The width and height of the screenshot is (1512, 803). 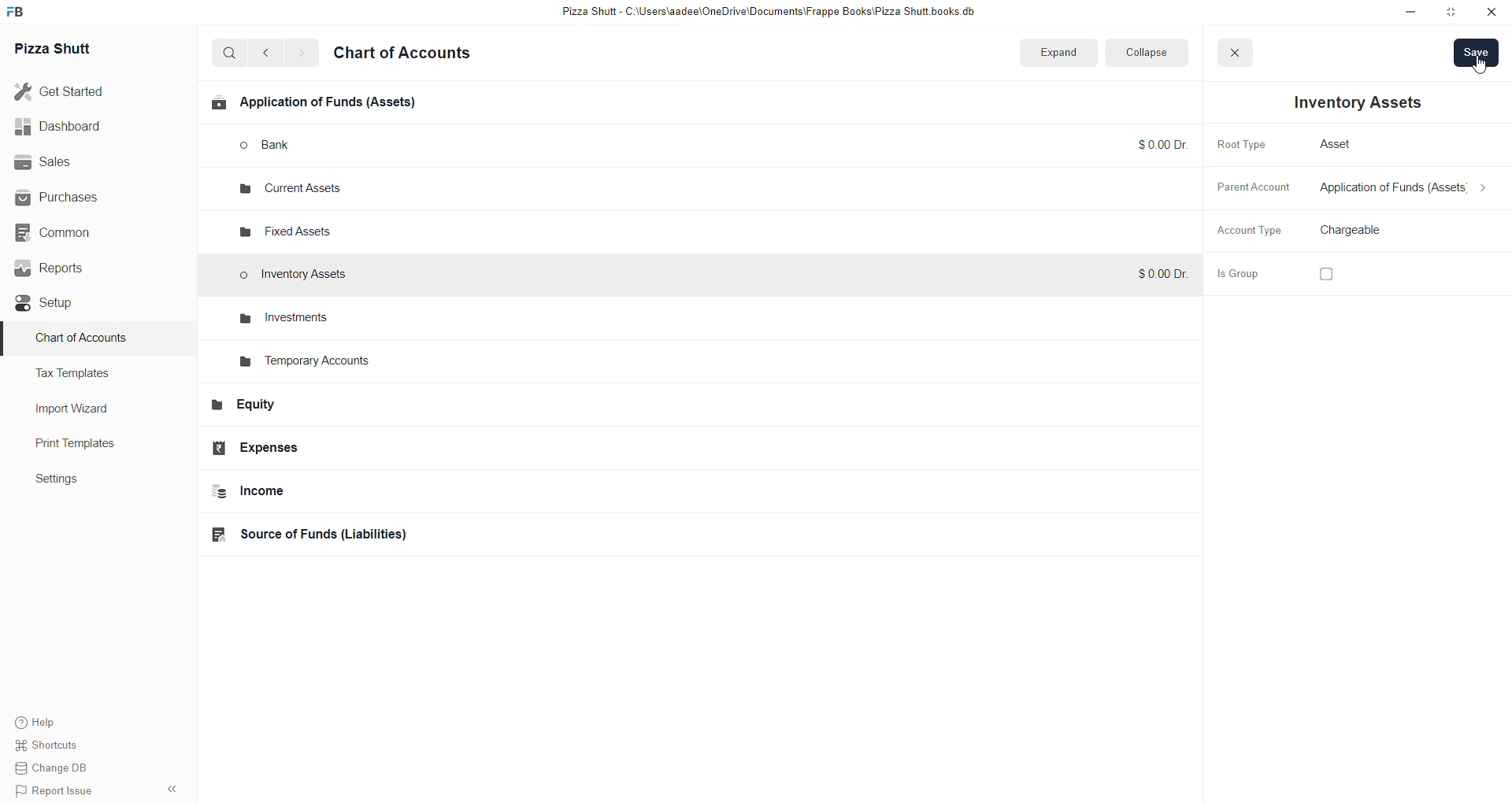 I want to click on Income , so click(x=332, y=494).